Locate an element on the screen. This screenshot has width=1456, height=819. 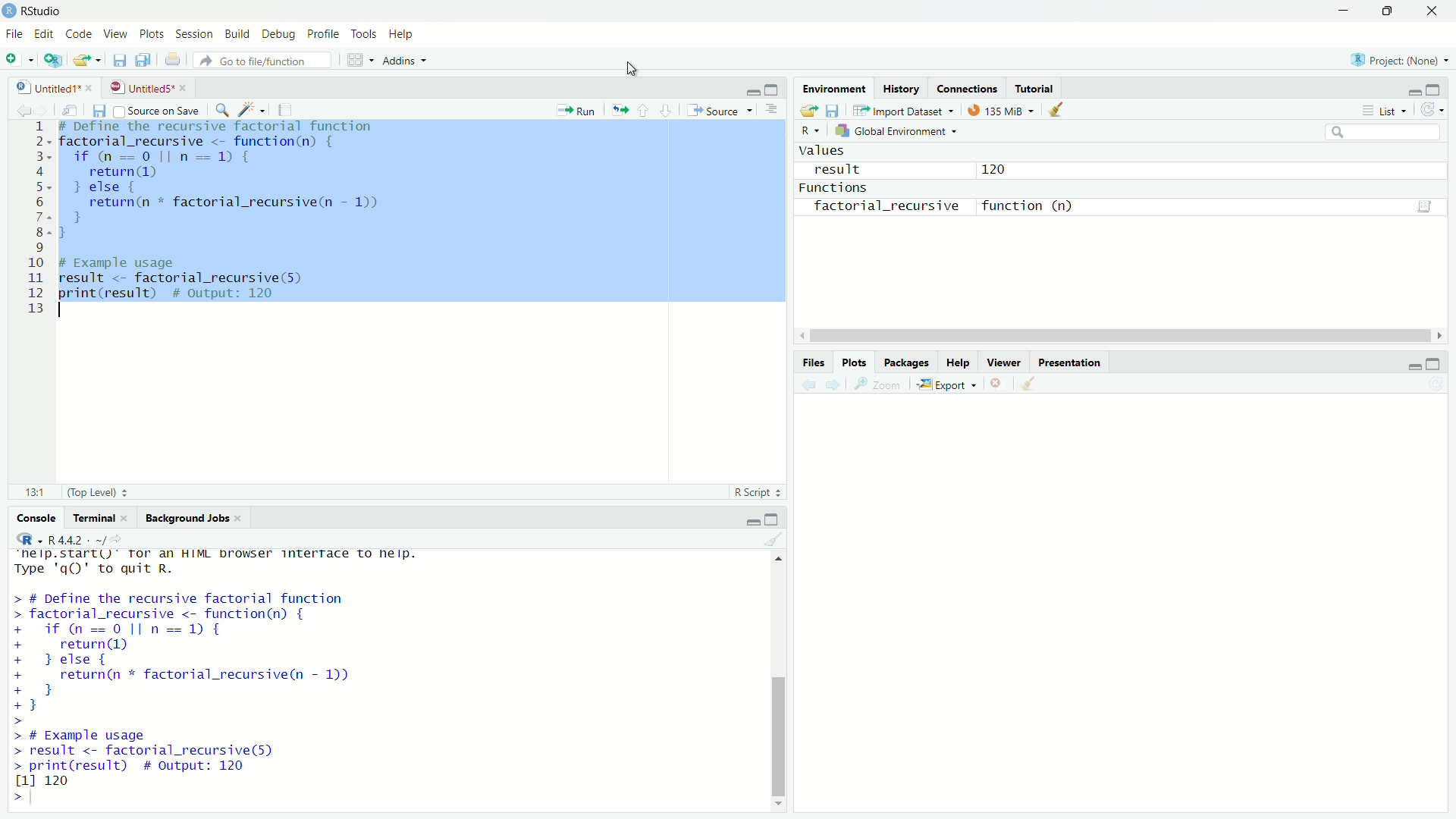
Save current document (Ctrl + S) is located at coordinates (99, 110).